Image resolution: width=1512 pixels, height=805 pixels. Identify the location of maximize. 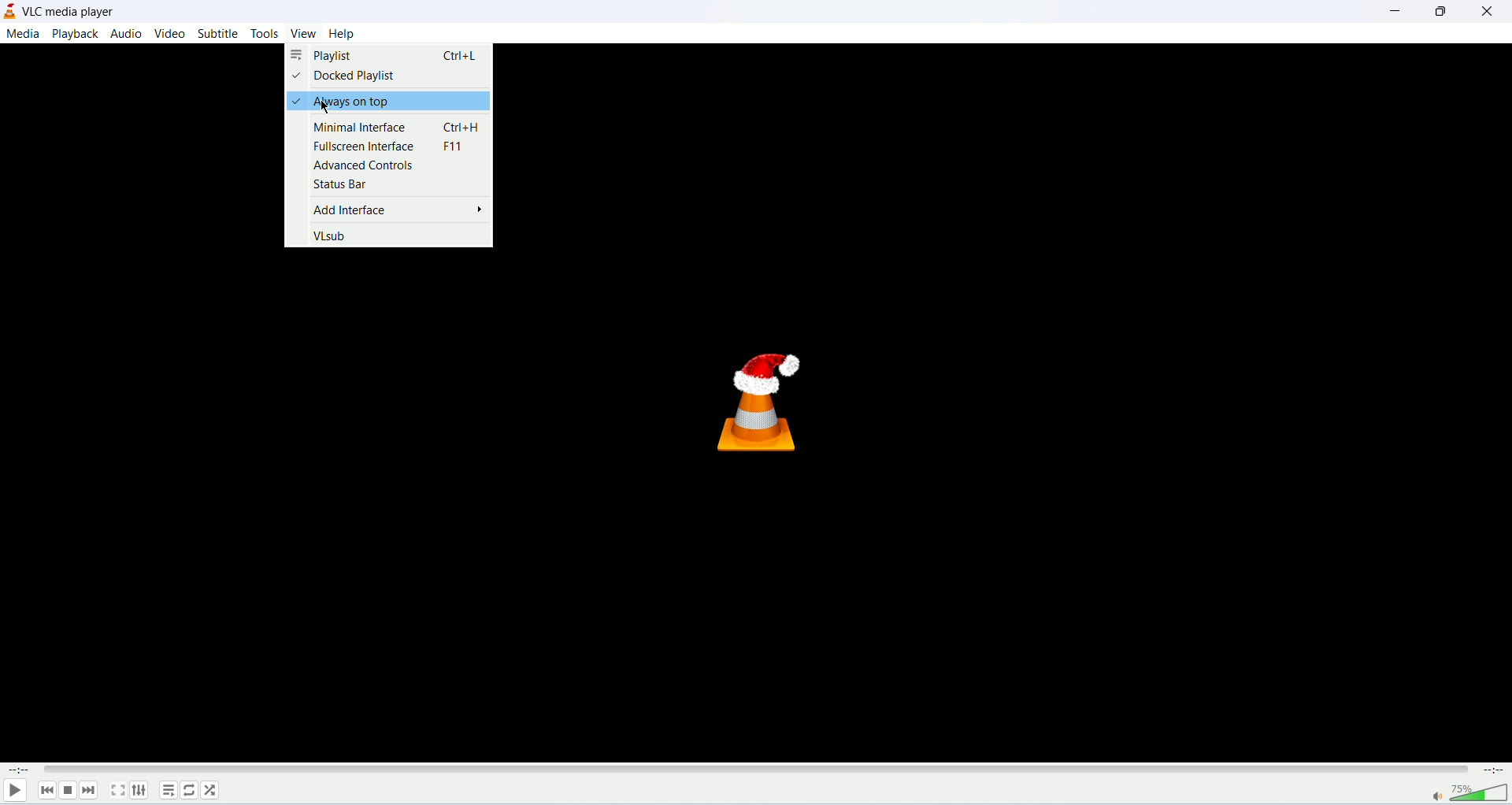
(1438, 12).